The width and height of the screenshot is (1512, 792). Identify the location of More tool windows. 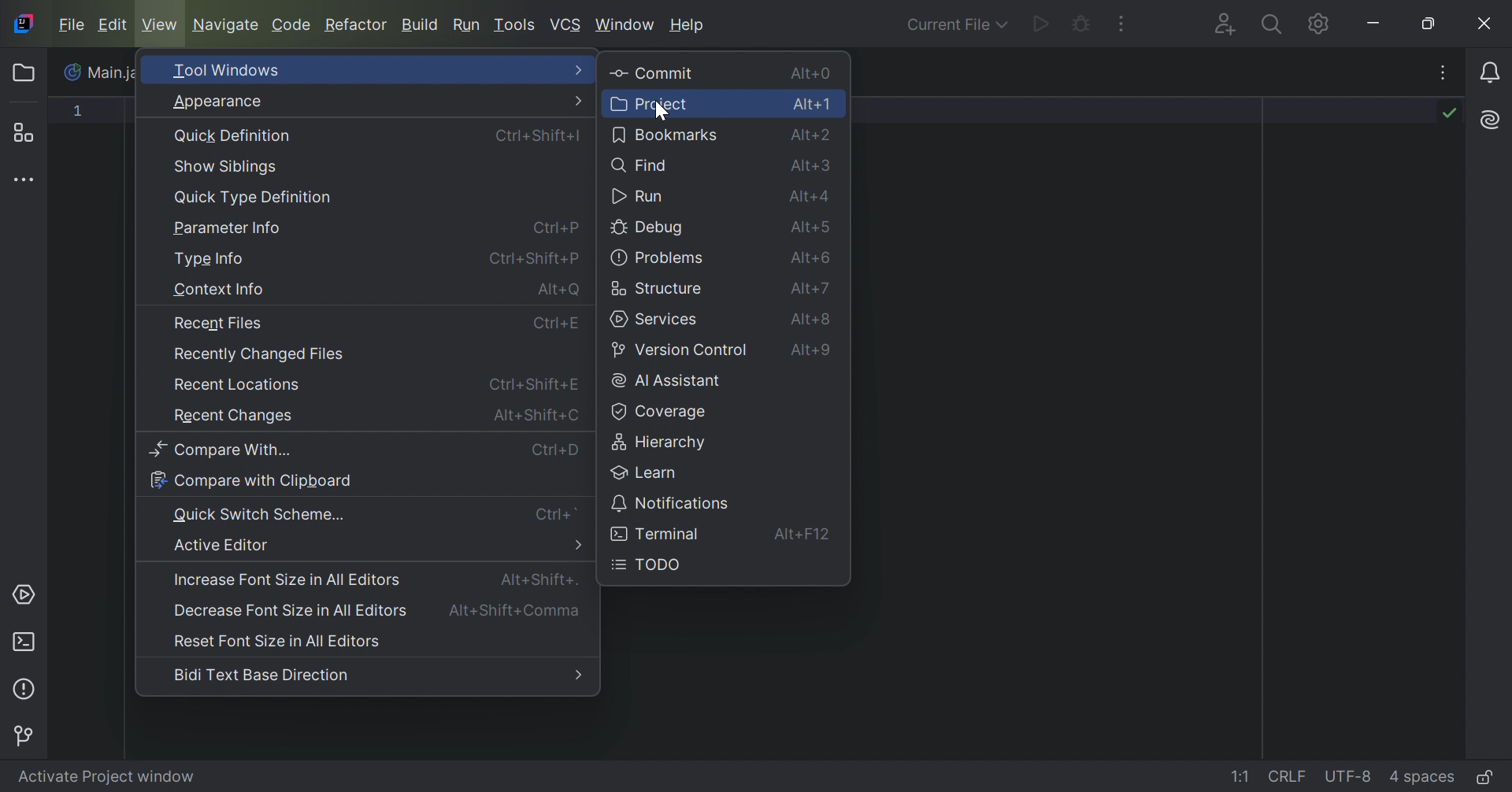
(28, 181).